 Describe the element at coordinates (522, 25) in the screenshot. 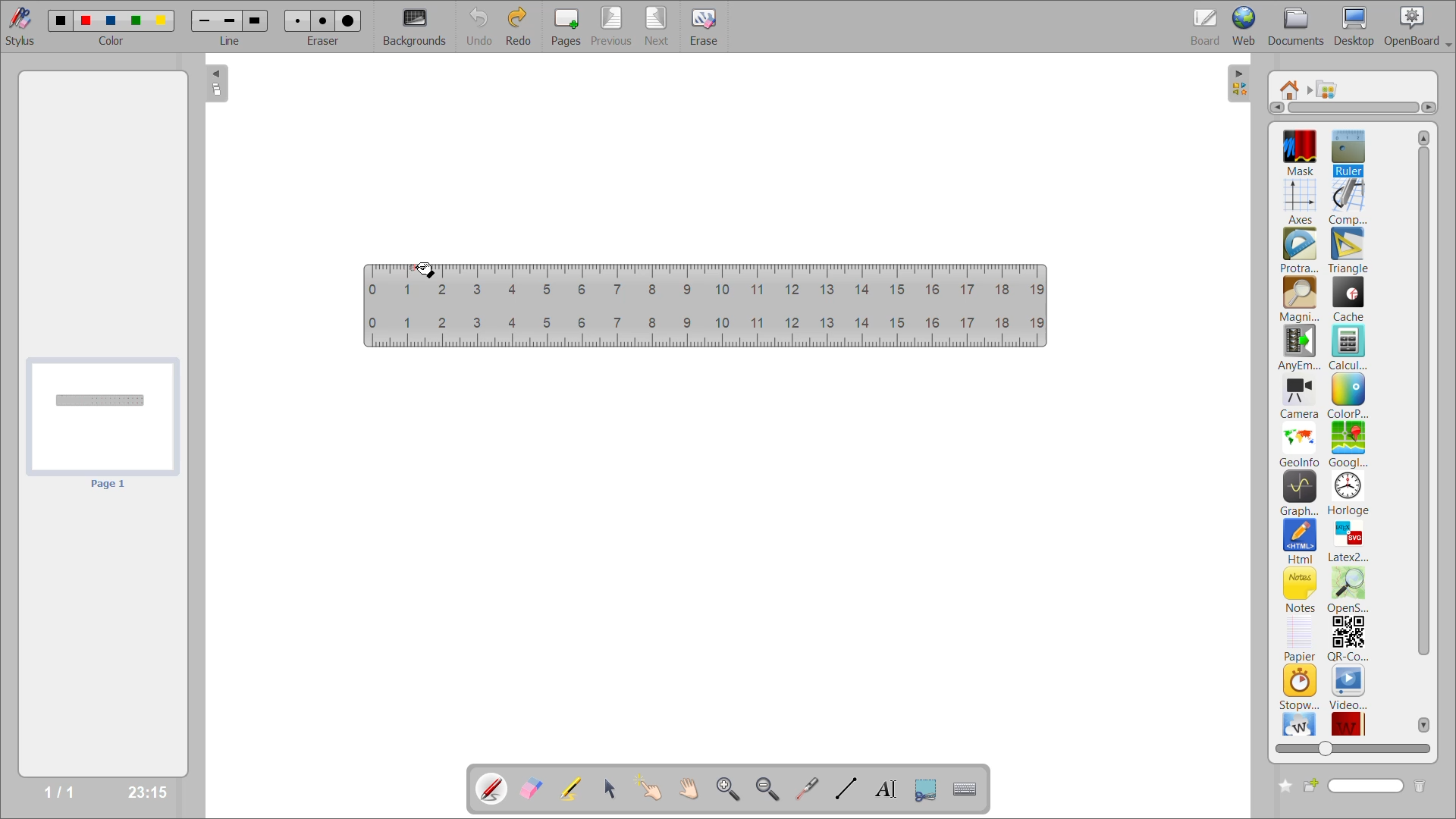

I see `redo` at that location.